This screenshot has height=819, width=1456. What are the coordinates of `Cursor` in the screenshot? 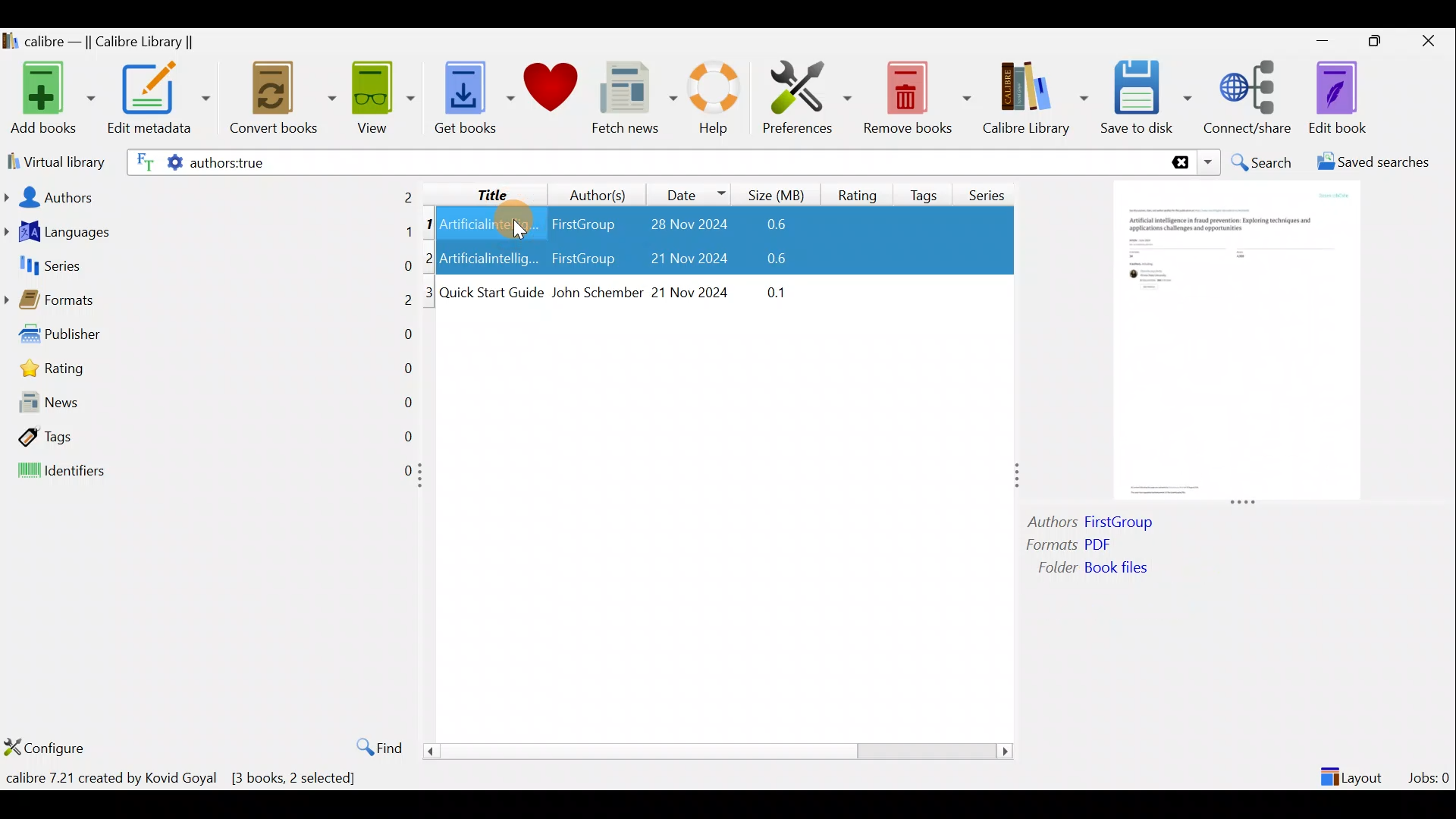 It's located at (509, 221).